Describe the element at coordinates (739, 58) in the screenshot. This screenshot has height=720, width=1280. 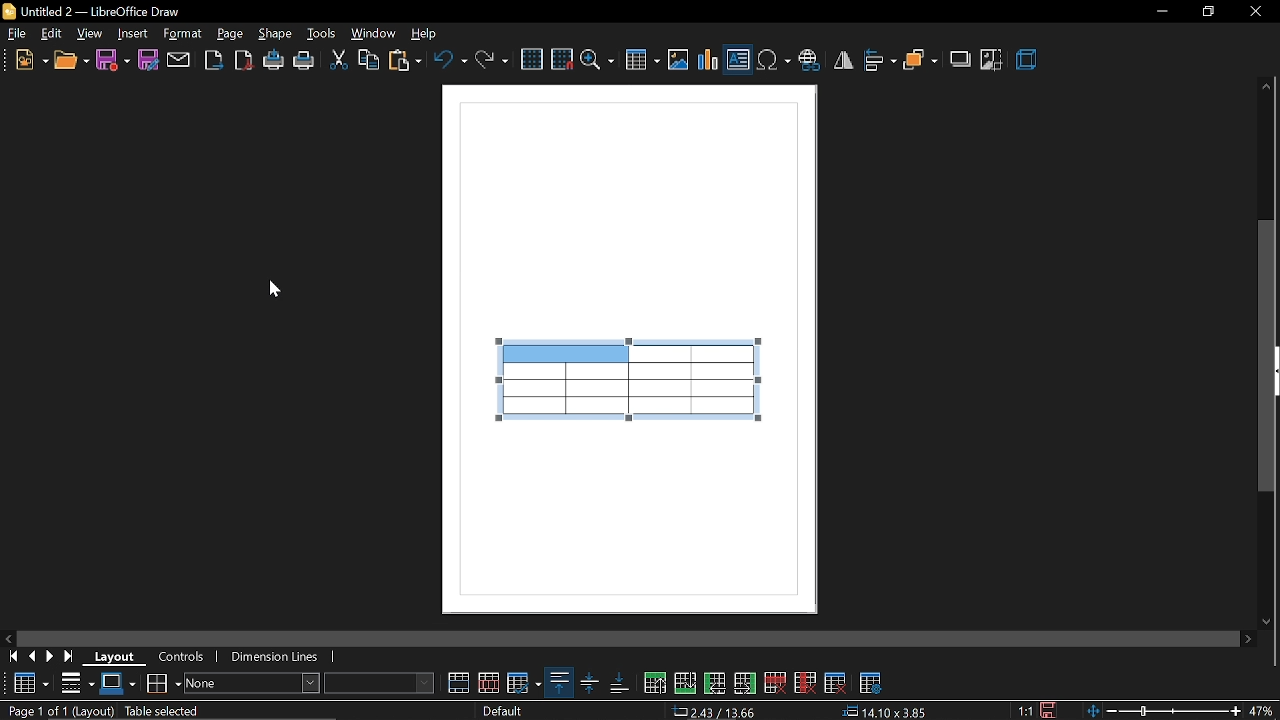
I see `insert text` at that location.